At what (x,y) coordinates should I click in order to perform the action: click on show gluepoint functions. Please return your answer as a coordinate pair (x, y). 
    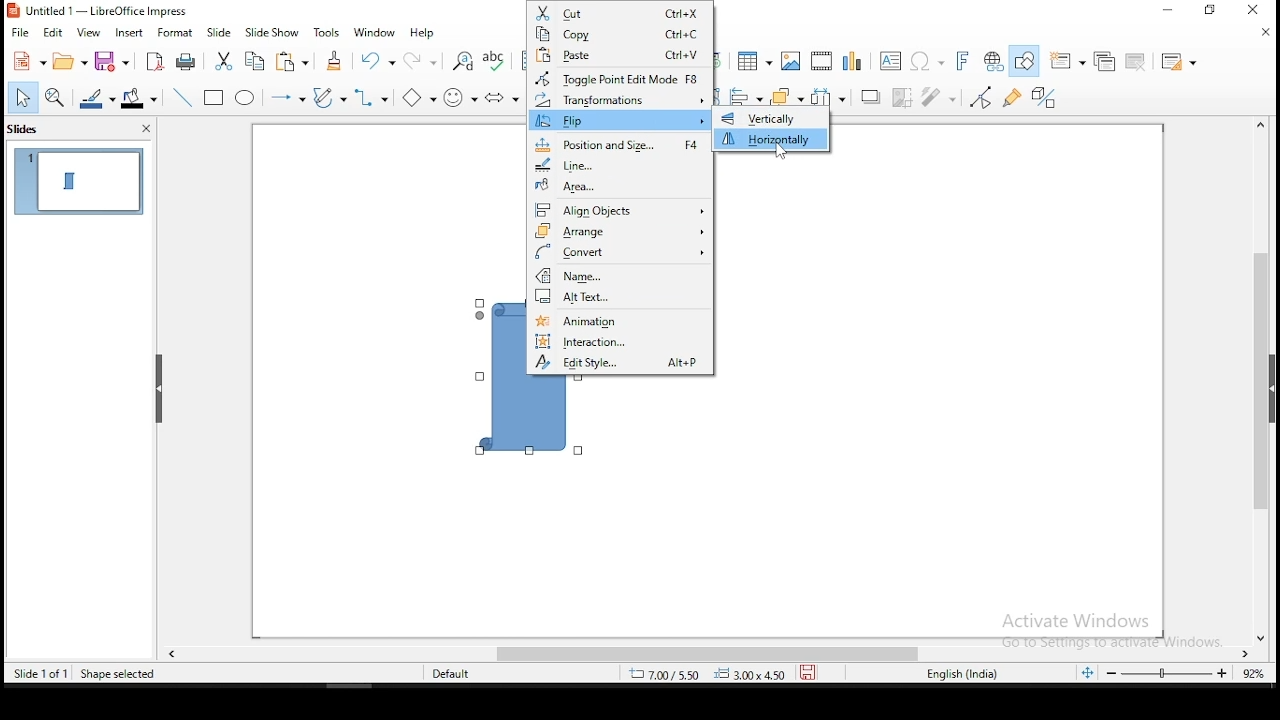
    Looking at the image, I should click on (1013, 96).